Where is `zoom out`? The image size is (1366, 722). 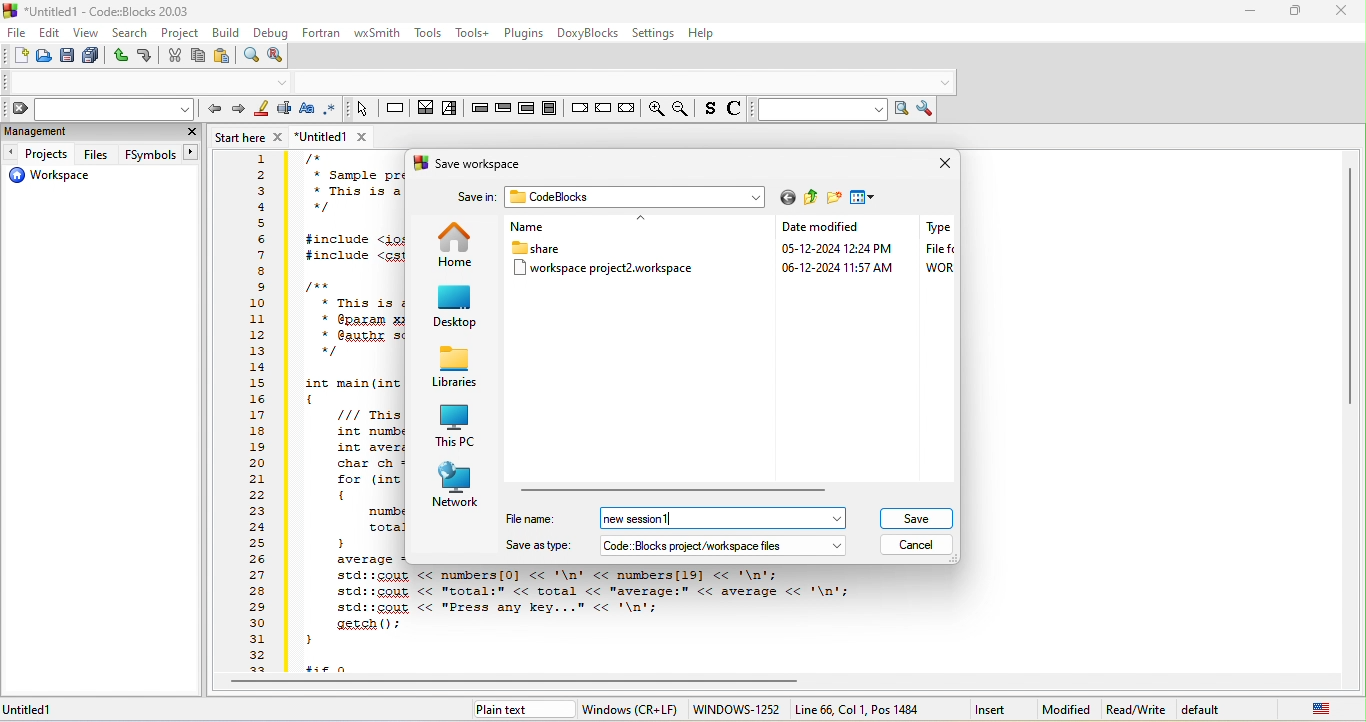
zoom out is located at coordinates (683, 109).